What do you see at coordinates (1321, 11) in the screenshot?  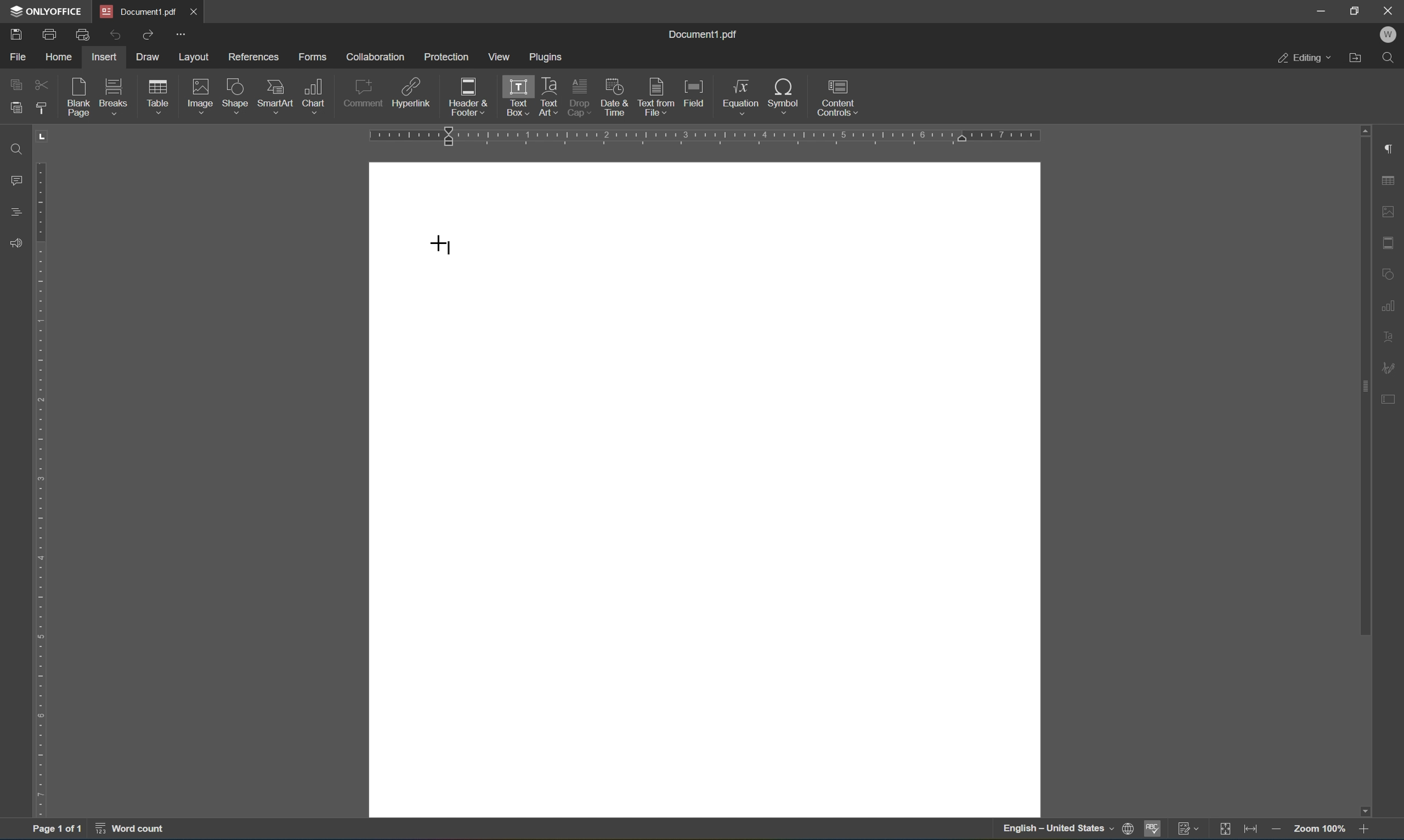 I see `Minimize` at bounding box center [1321, 11].